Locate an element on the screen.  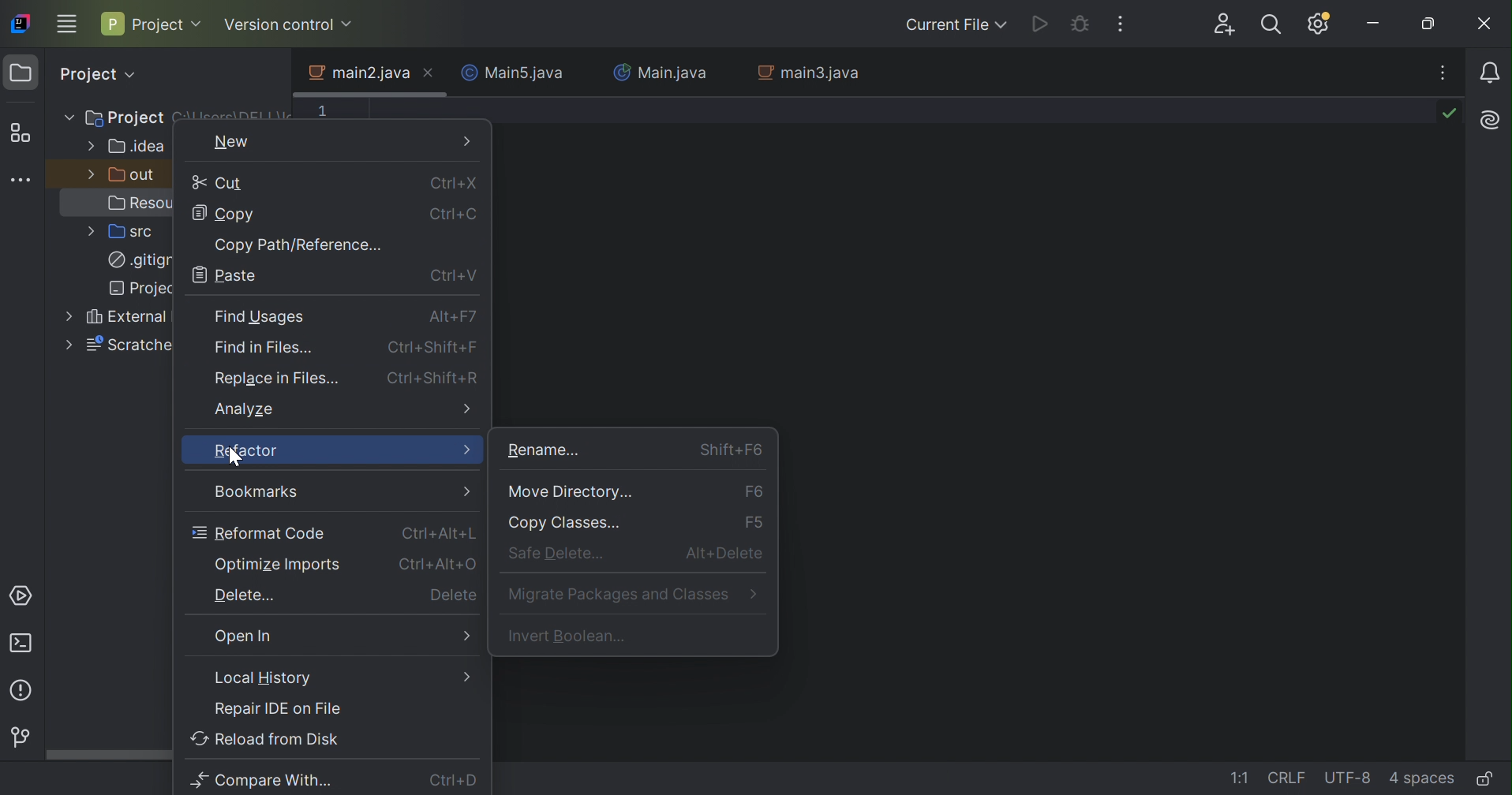
More is located at coordinates (754, 596).